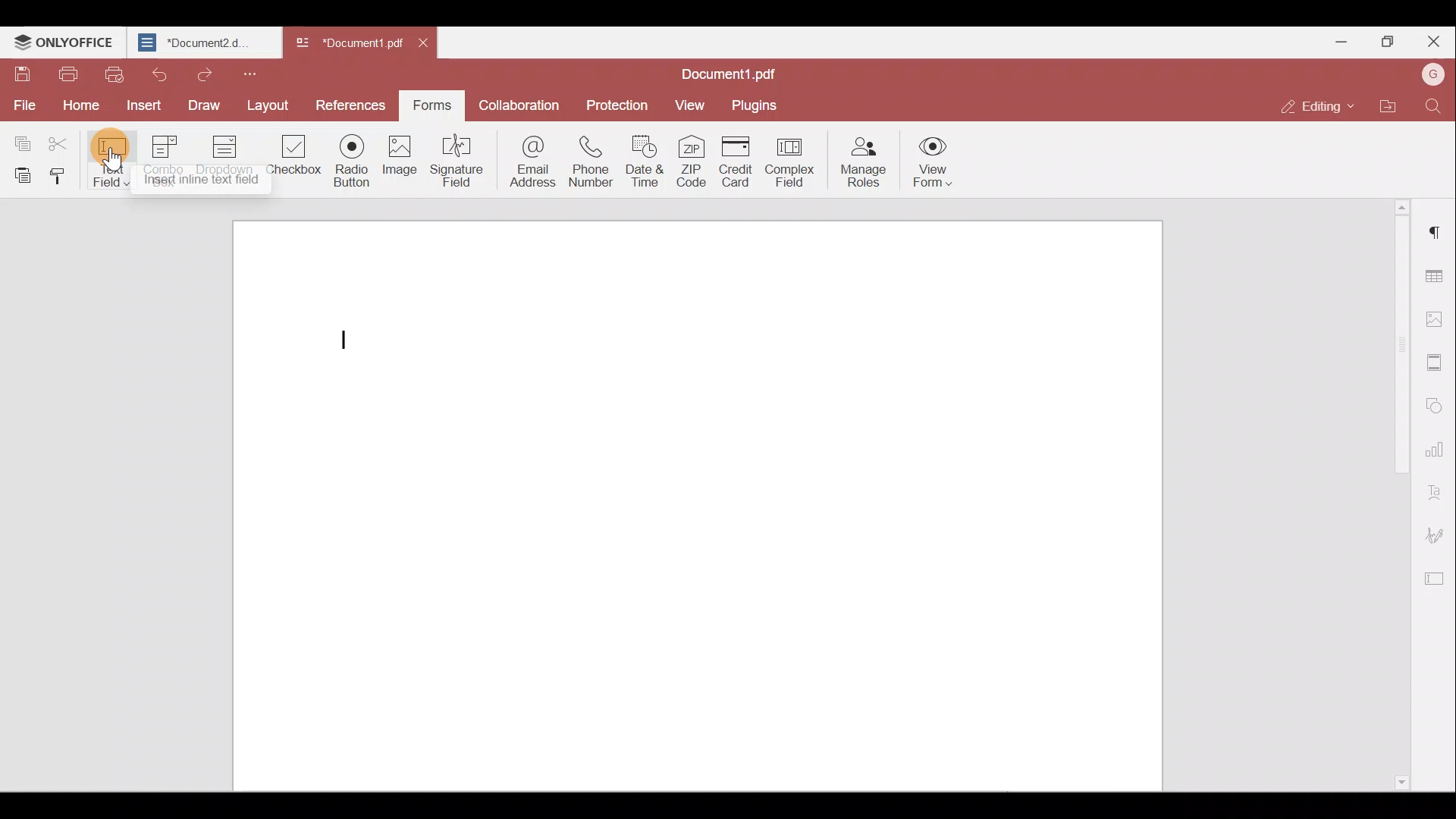  I want to click on Open file location, so click(1386, 104).